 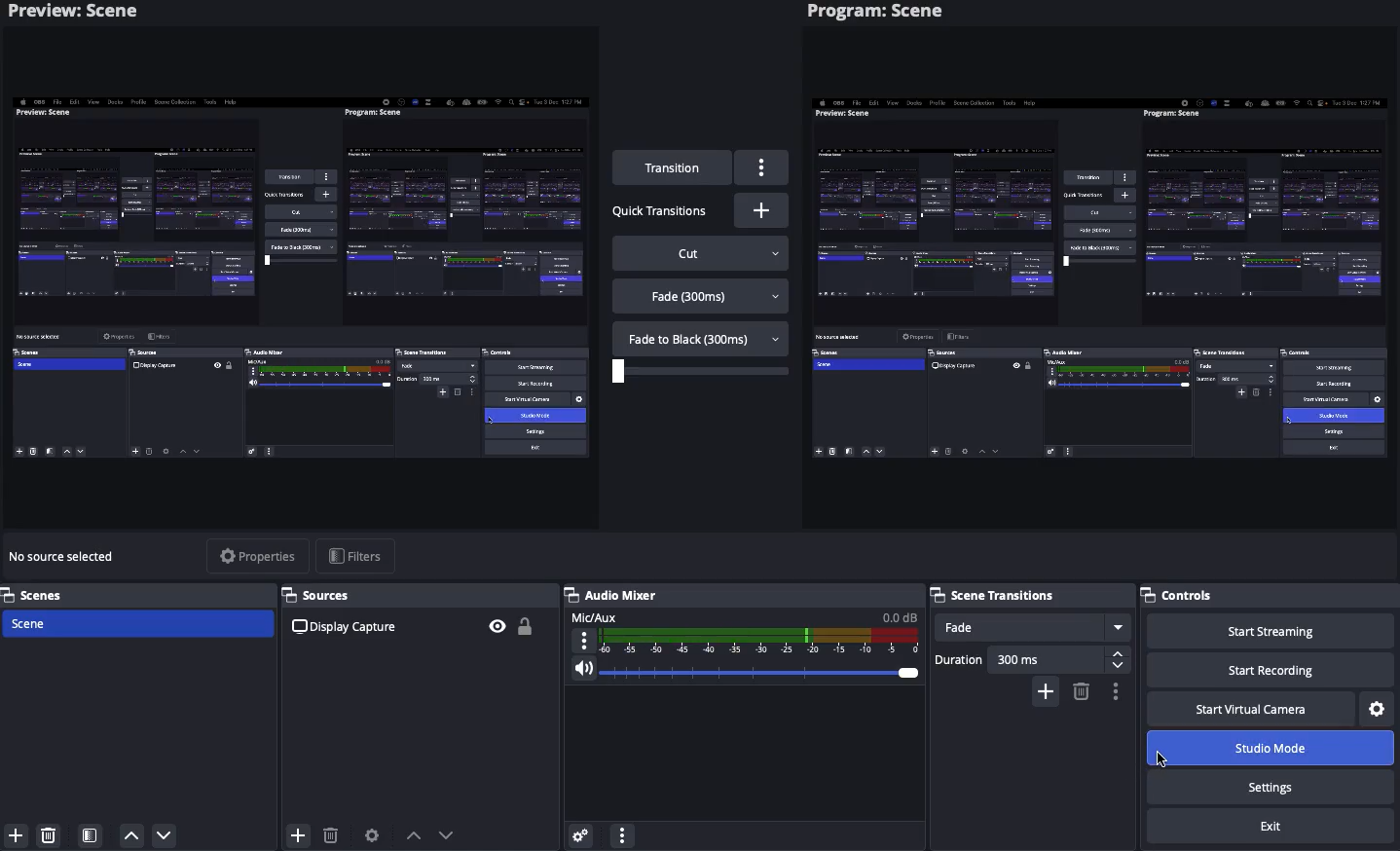 I want to click on Delete, so click(x=1080, y=691).